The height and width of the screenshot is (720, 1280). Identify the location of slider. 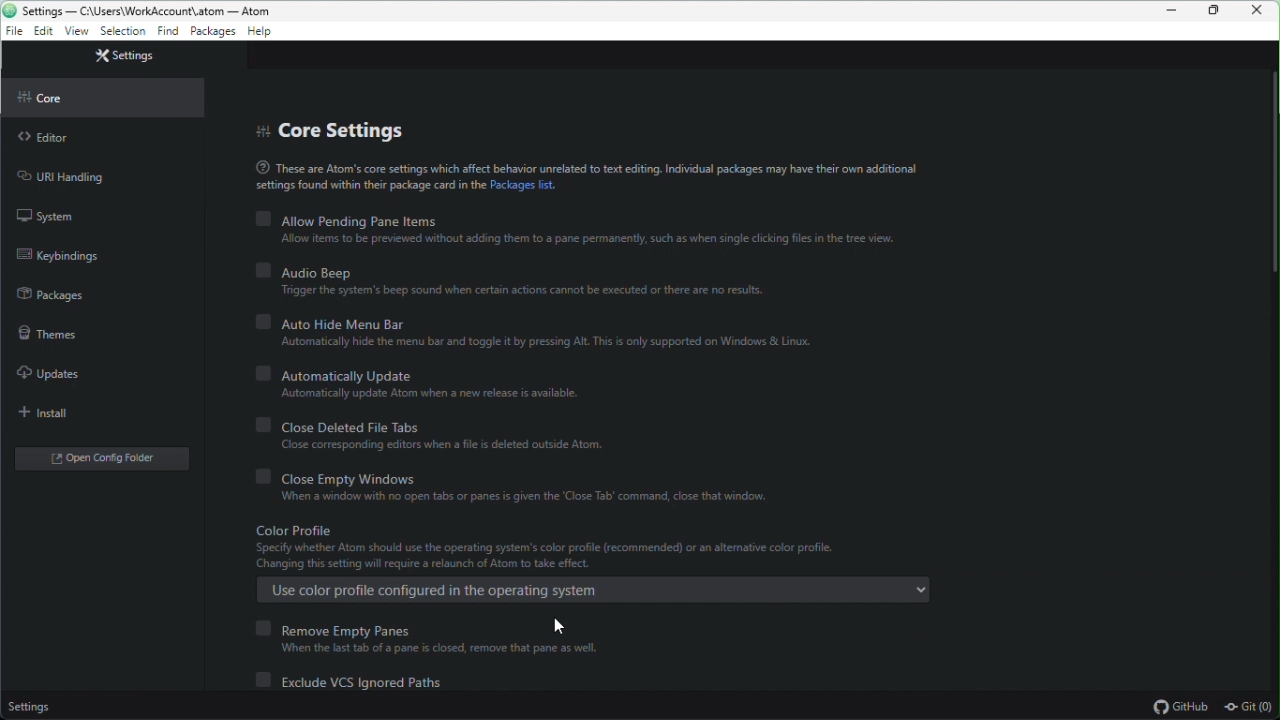
(1270, 265).